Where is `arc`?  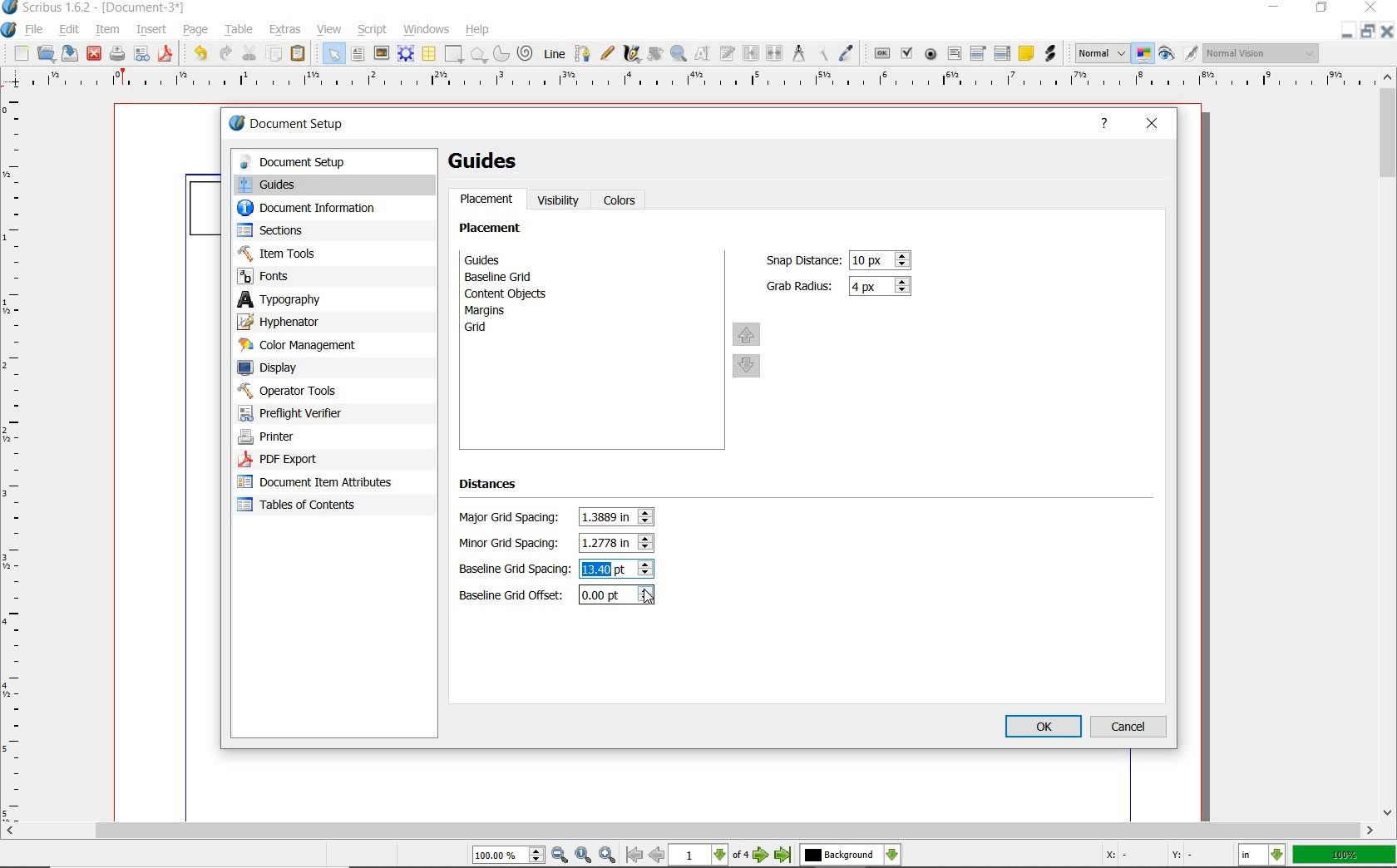
arc is located at coordinates (500, 55).